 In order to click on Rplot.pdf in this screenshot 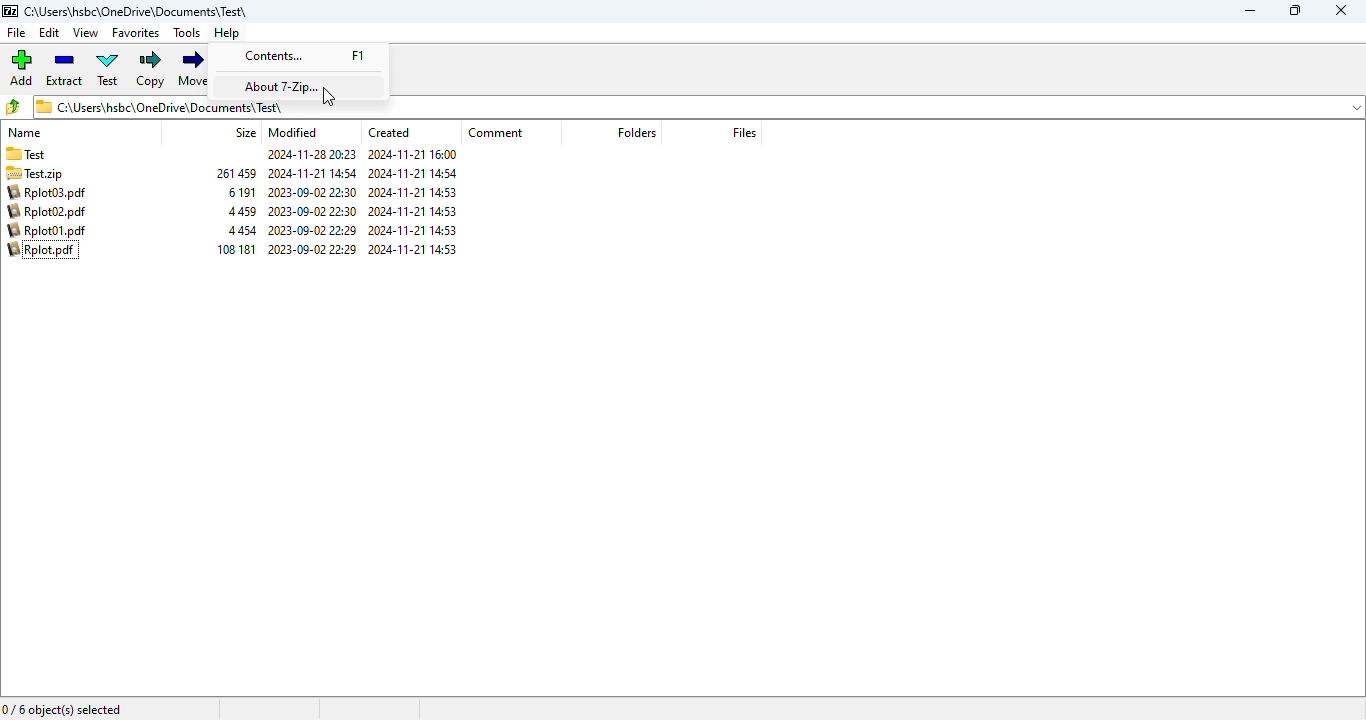, I will do `click(46, 250)`.